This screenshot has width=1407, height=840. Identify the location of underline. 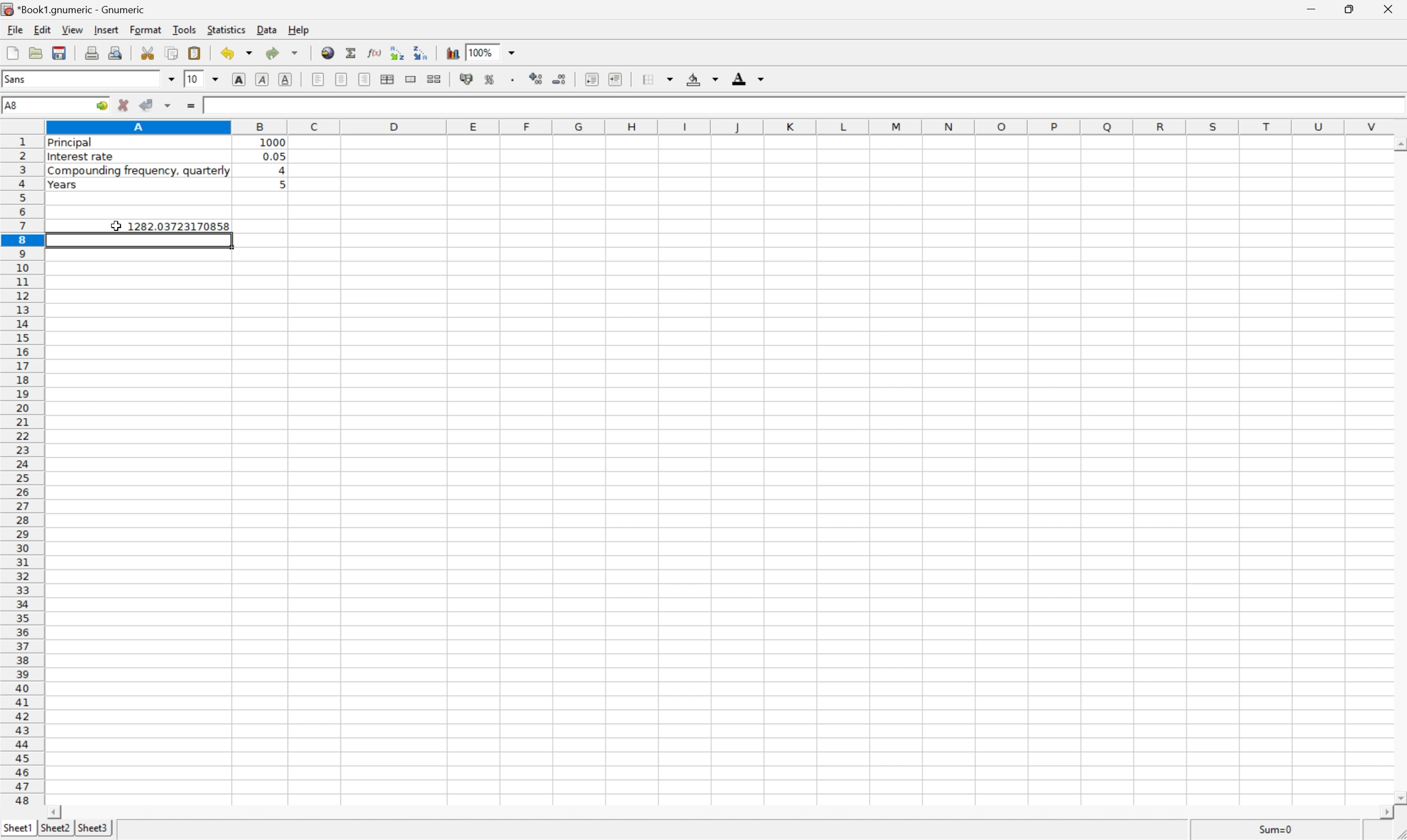
(286, 79).